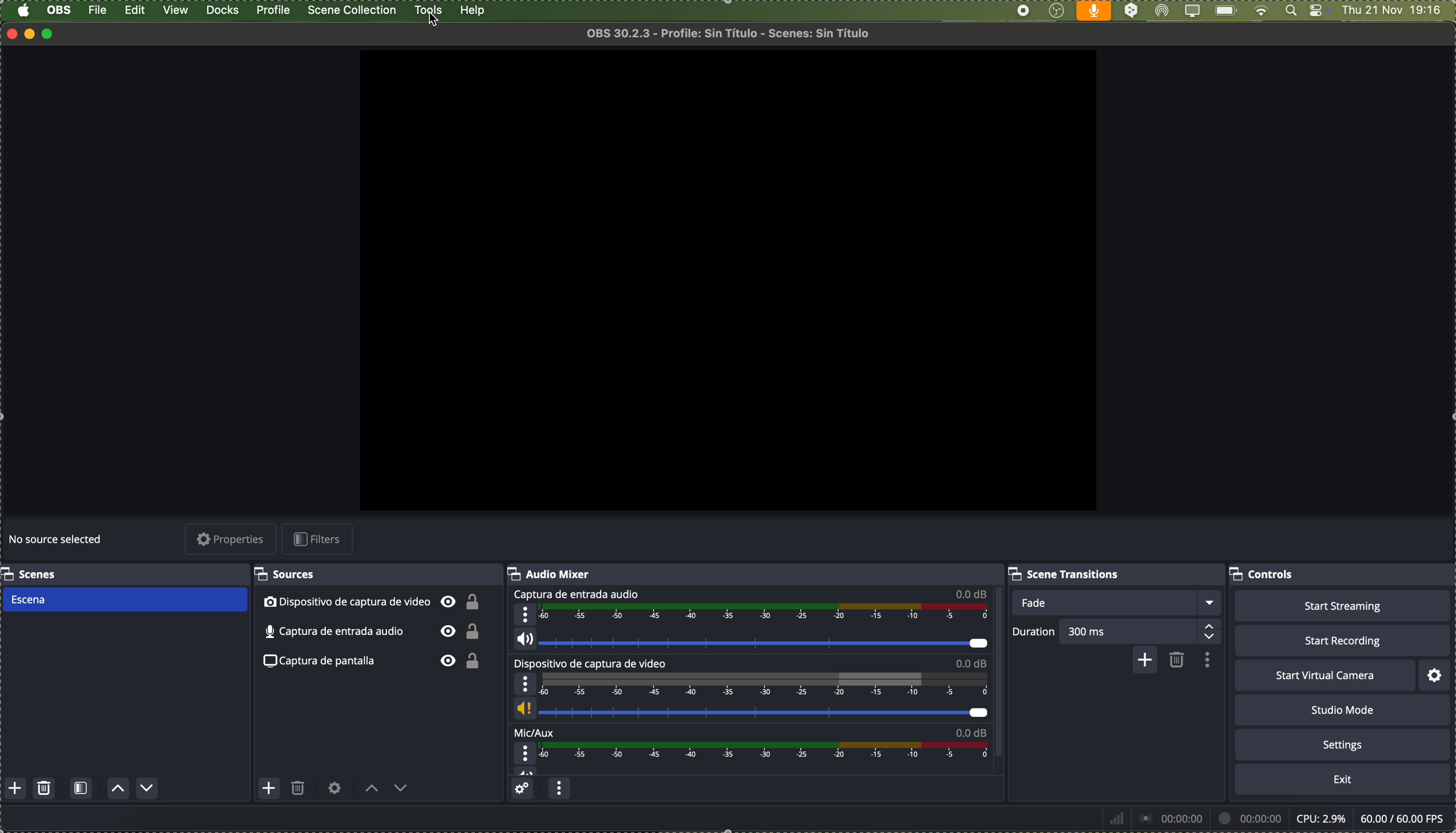 This screenshot has width=1456, height=833. Describe the element at coordinates (60, 10) in the screenshot. I see `OBS` at that location.